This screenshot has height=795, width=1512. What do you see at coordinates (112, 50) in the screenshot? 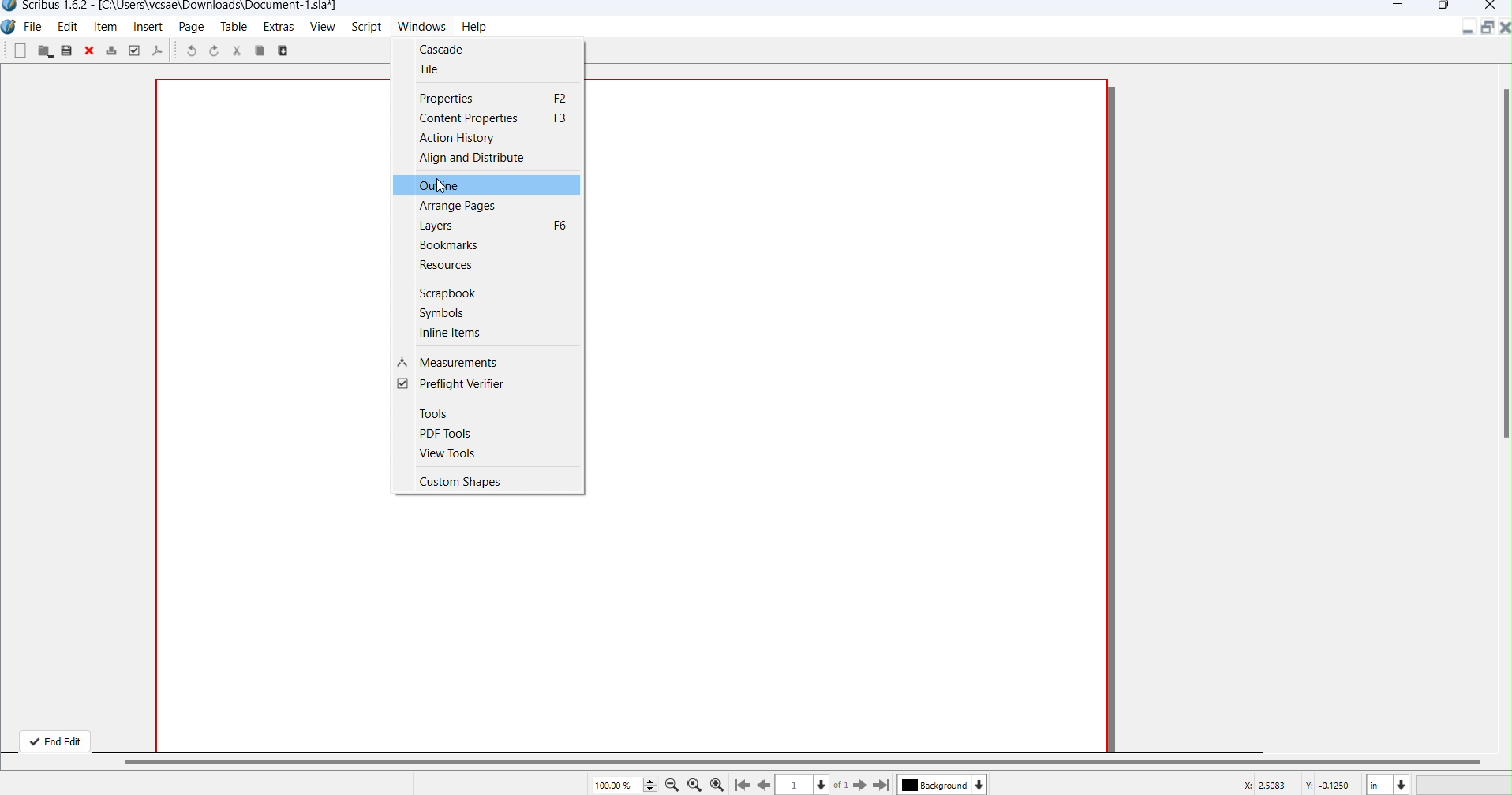
I see `print` at bounding box center [112, 50].